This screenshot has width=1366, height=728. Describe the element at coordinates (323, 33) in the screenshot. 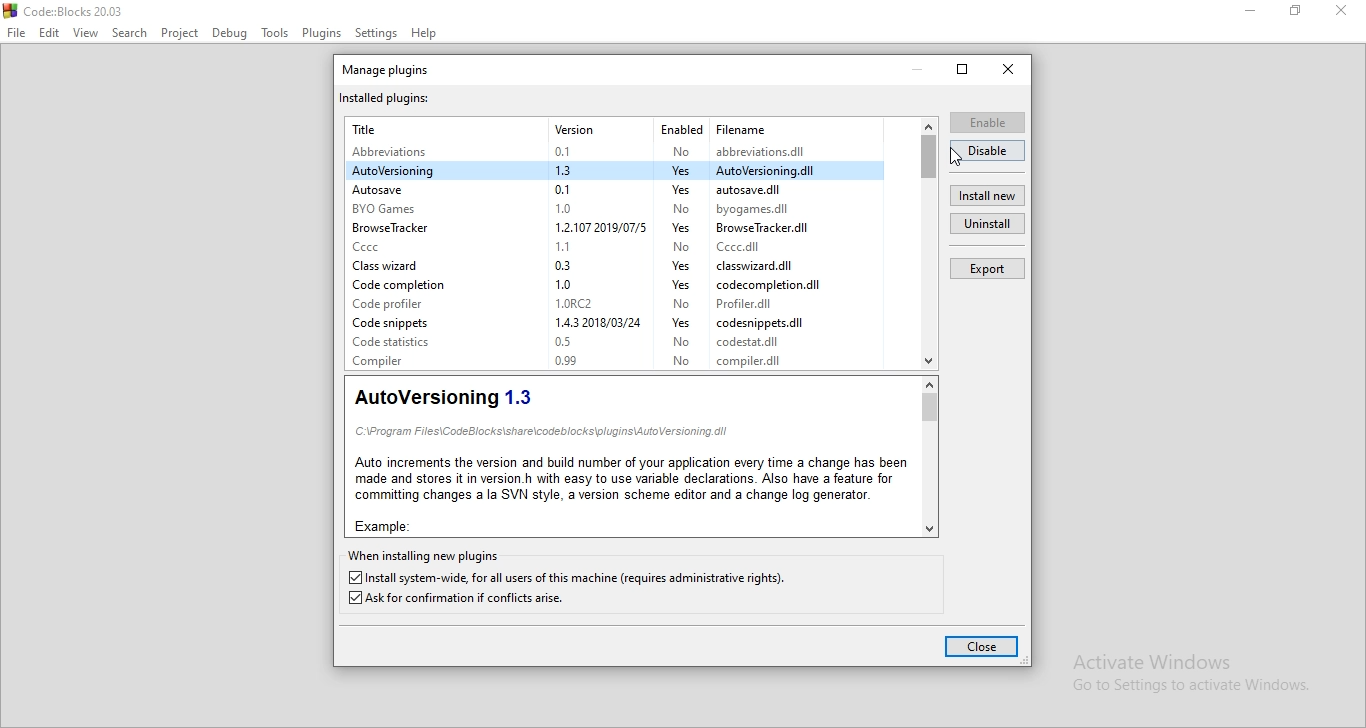

I see `plugins` at that location.